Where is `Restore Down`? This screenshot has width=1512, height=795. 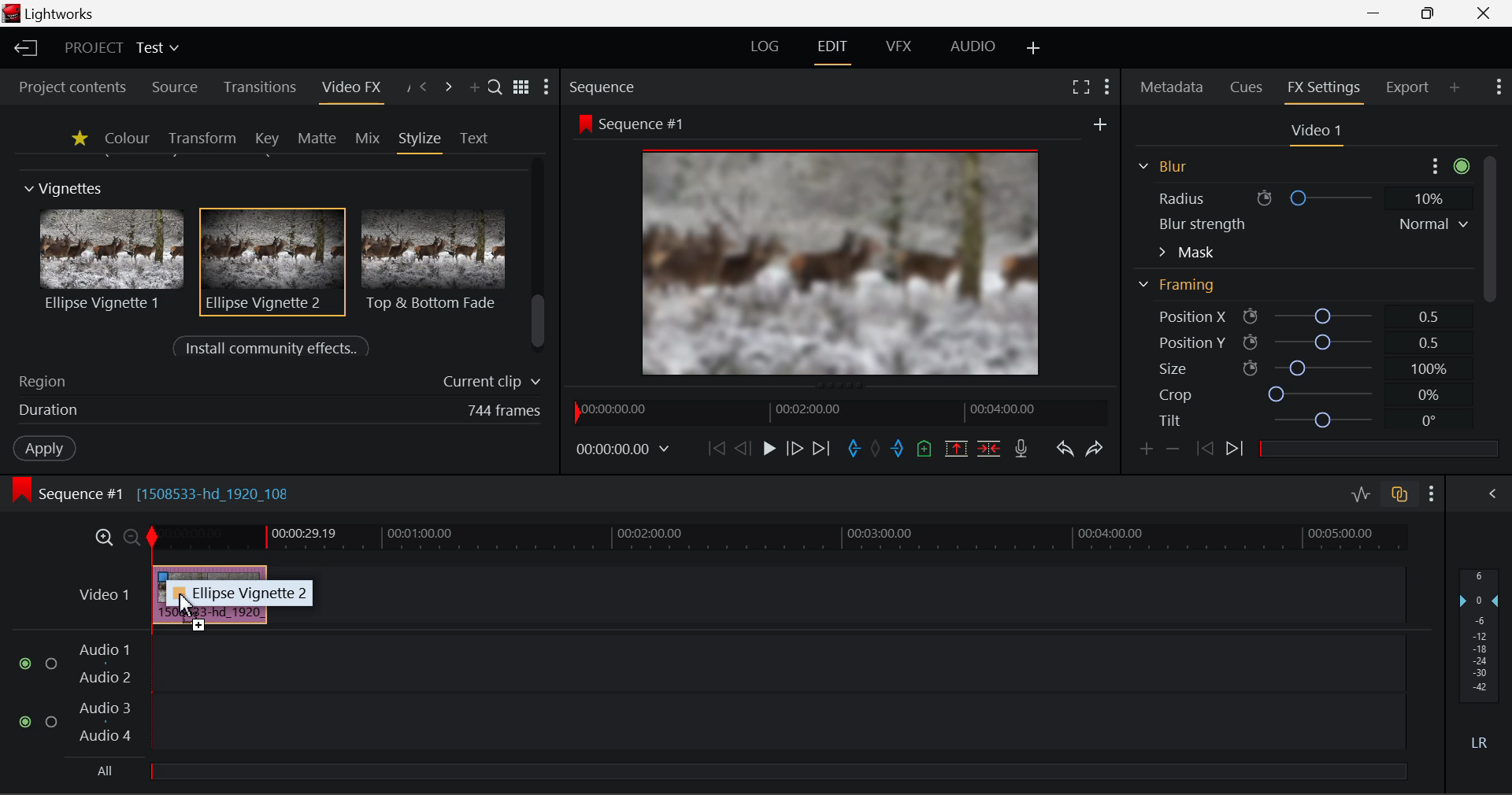 Restore Down is located at coordinates (1378, 13).